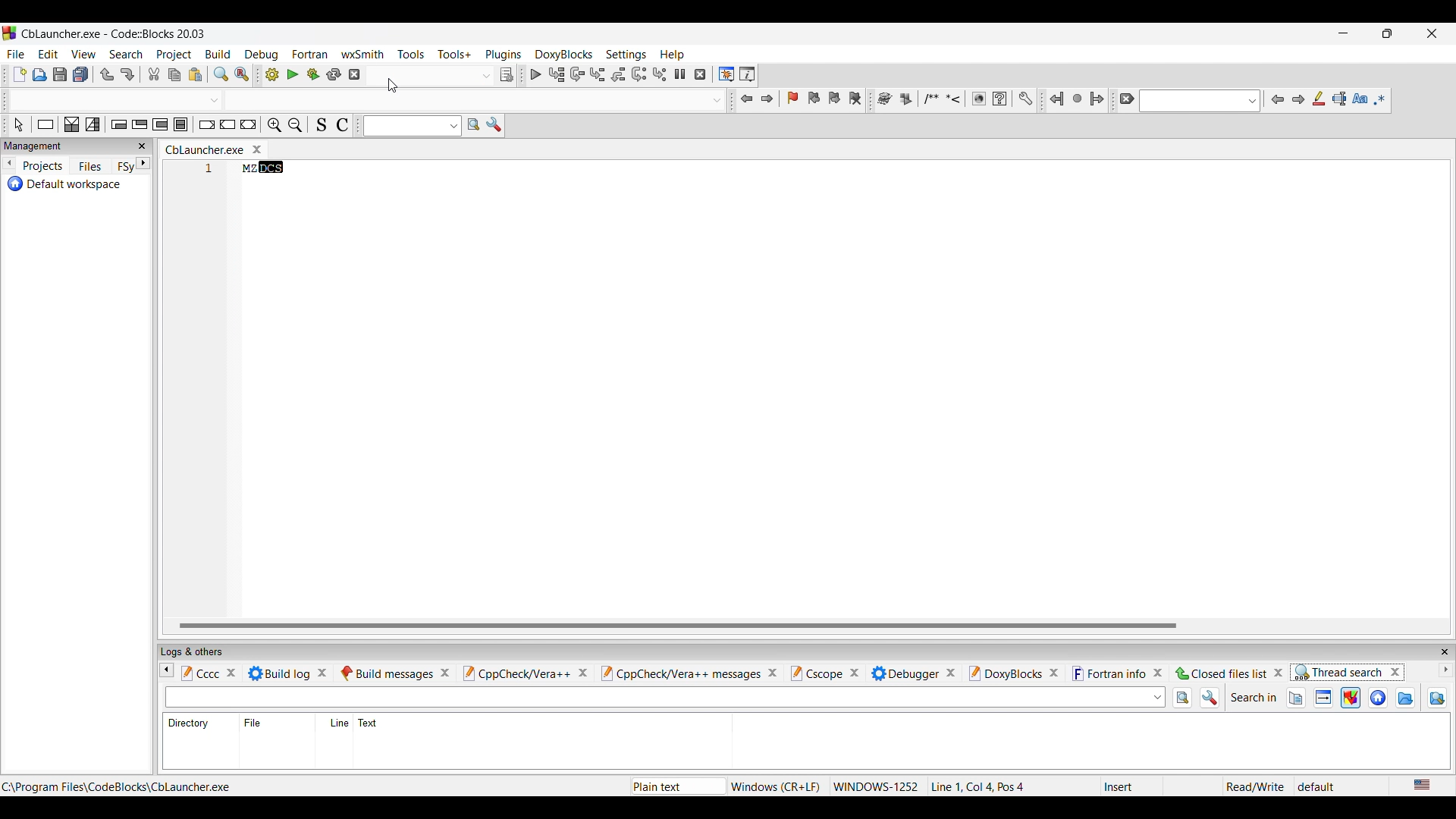  I want to click on wxSmith menu, so click(363, 54).